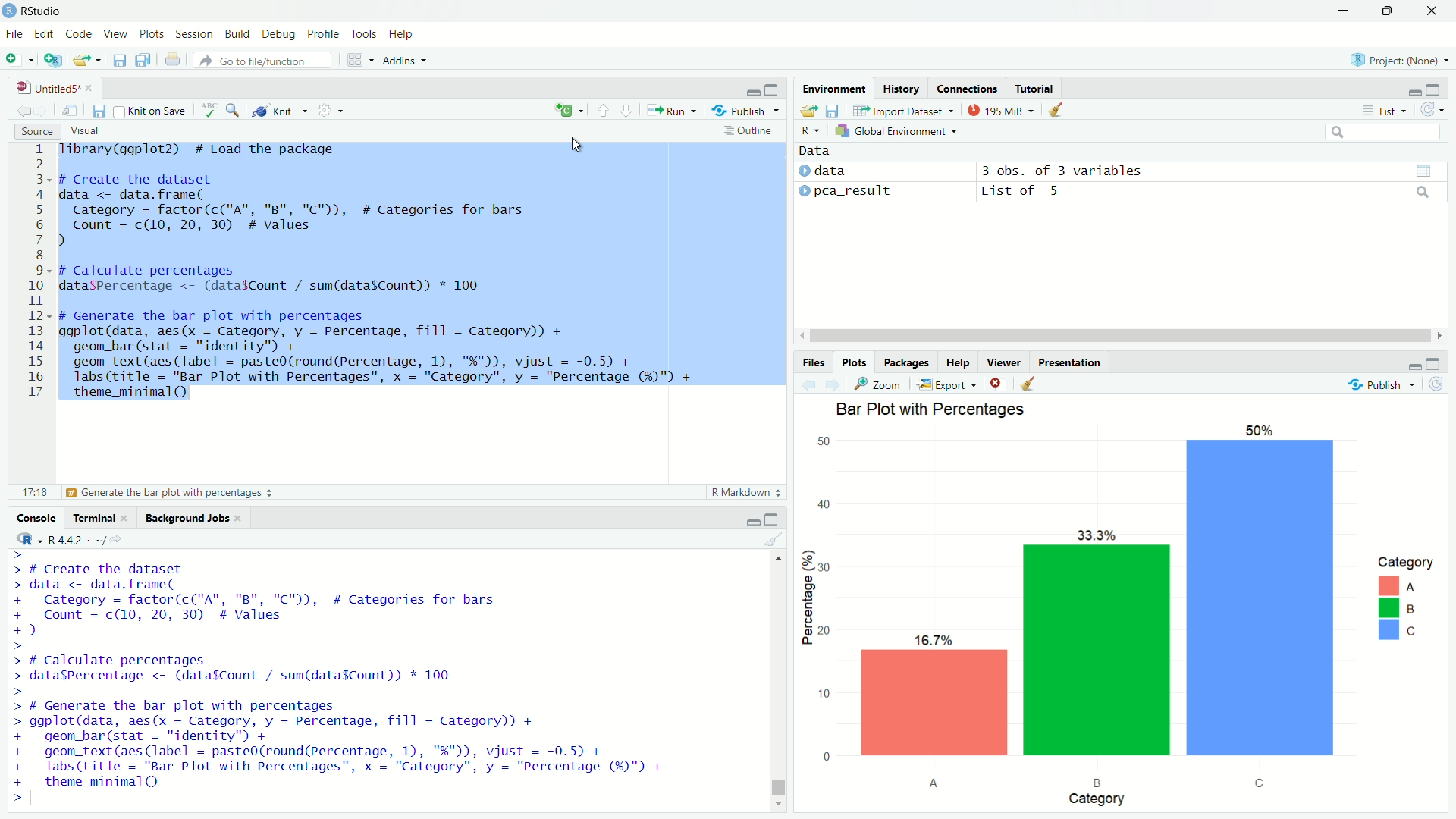  What do you see at coordinates (967, 89) in the screenshot?
I see `connections` at bounding box center [967, 89].